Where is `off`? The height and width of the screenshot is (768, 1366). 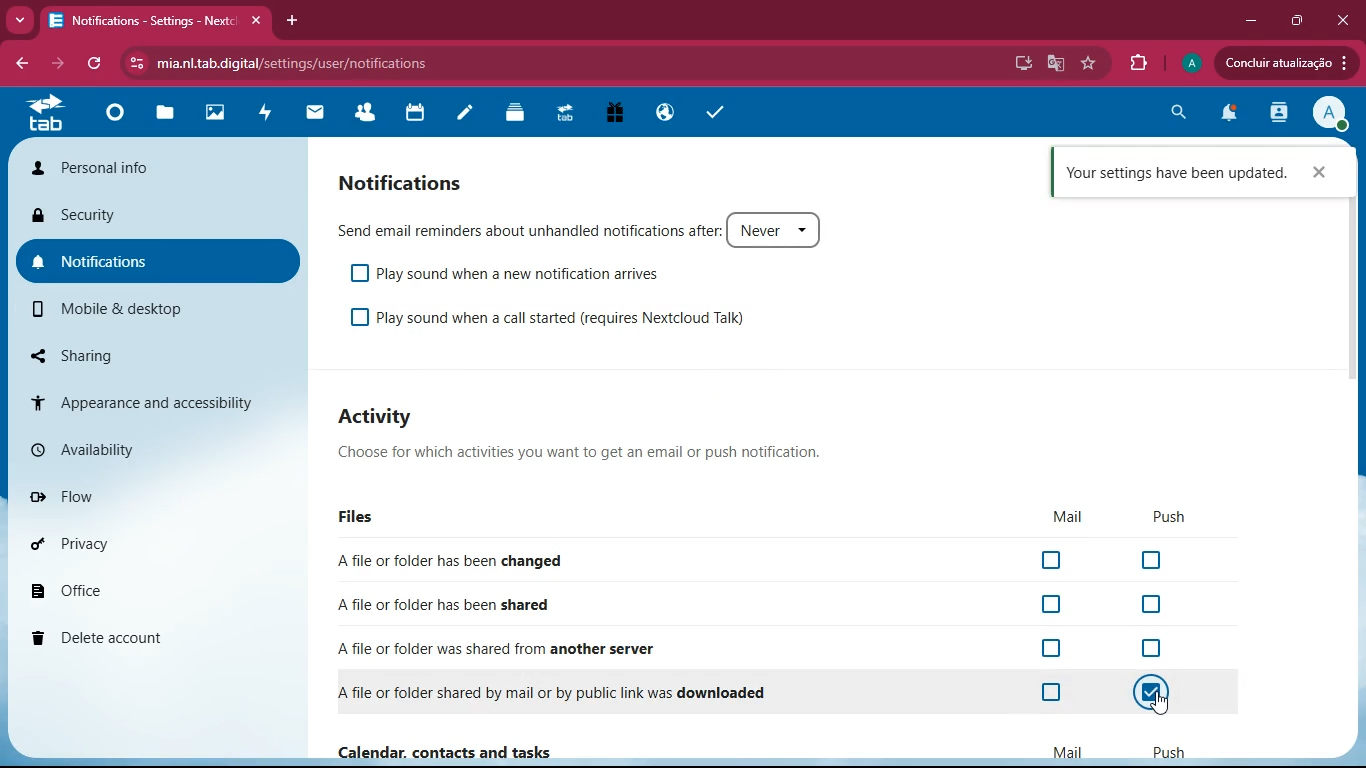 off is located at coordinates (1048, 648).